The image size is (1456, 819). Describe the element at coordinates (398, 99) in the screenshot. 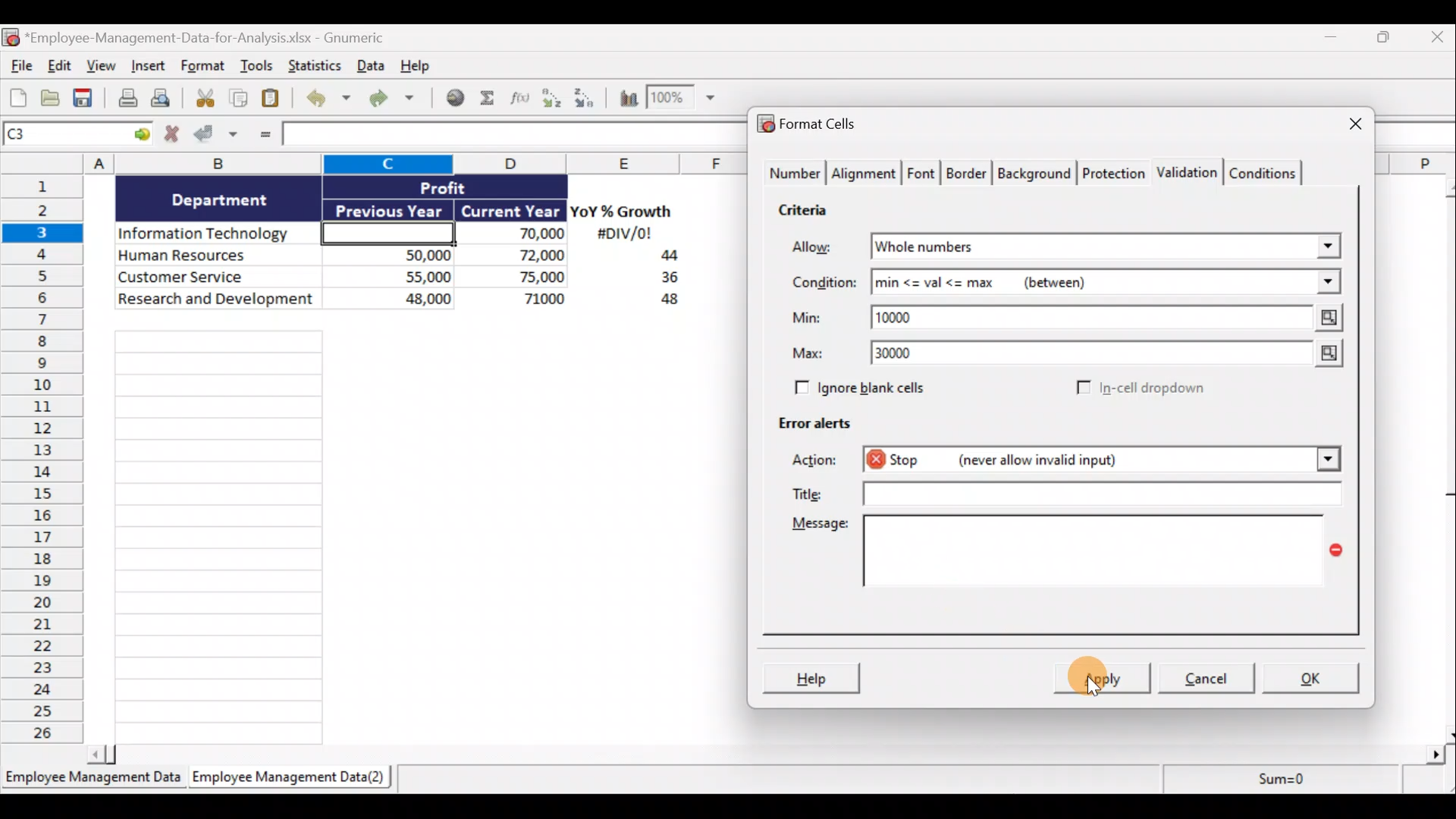

I see `Redo undone action` at that location.